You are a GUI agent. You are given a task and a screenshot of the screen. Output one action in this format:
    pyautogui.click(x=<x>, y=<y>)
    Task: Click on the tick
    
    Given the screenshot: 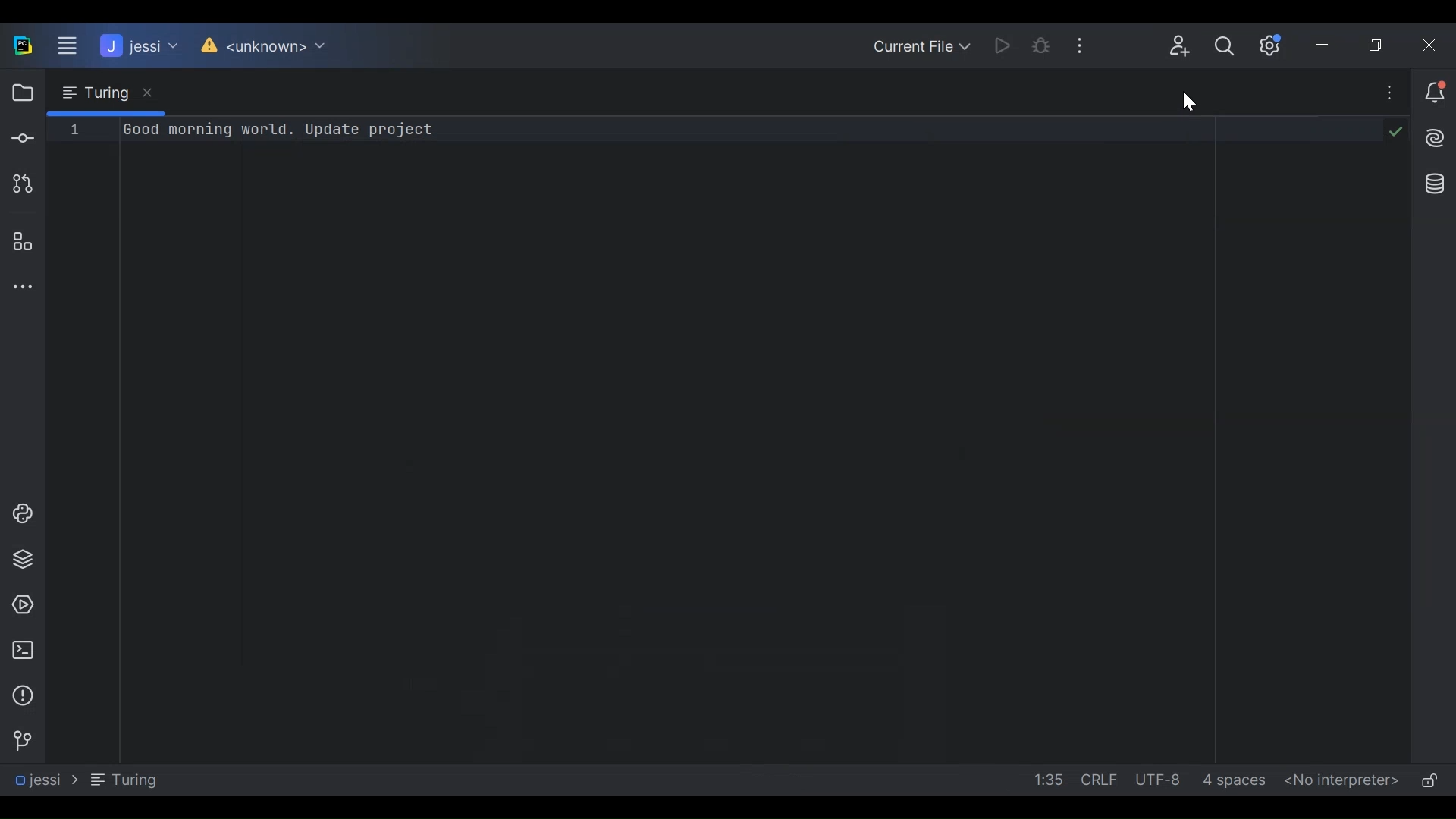 What is the action you would take?
    pyautogui.click(x=1397, y=131)
    